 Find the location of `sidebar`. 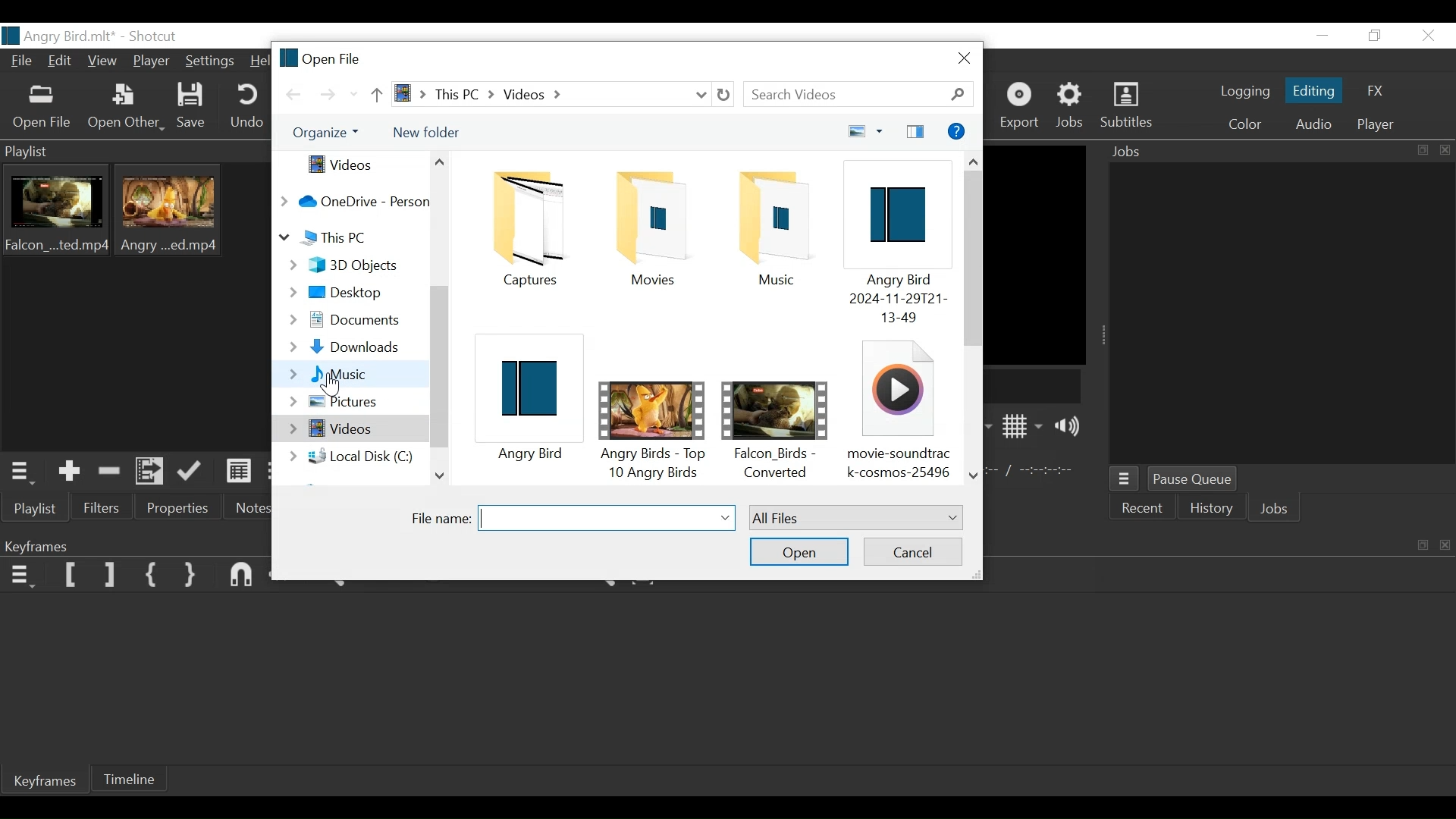

sidebar is located at coordinates (913, 130).